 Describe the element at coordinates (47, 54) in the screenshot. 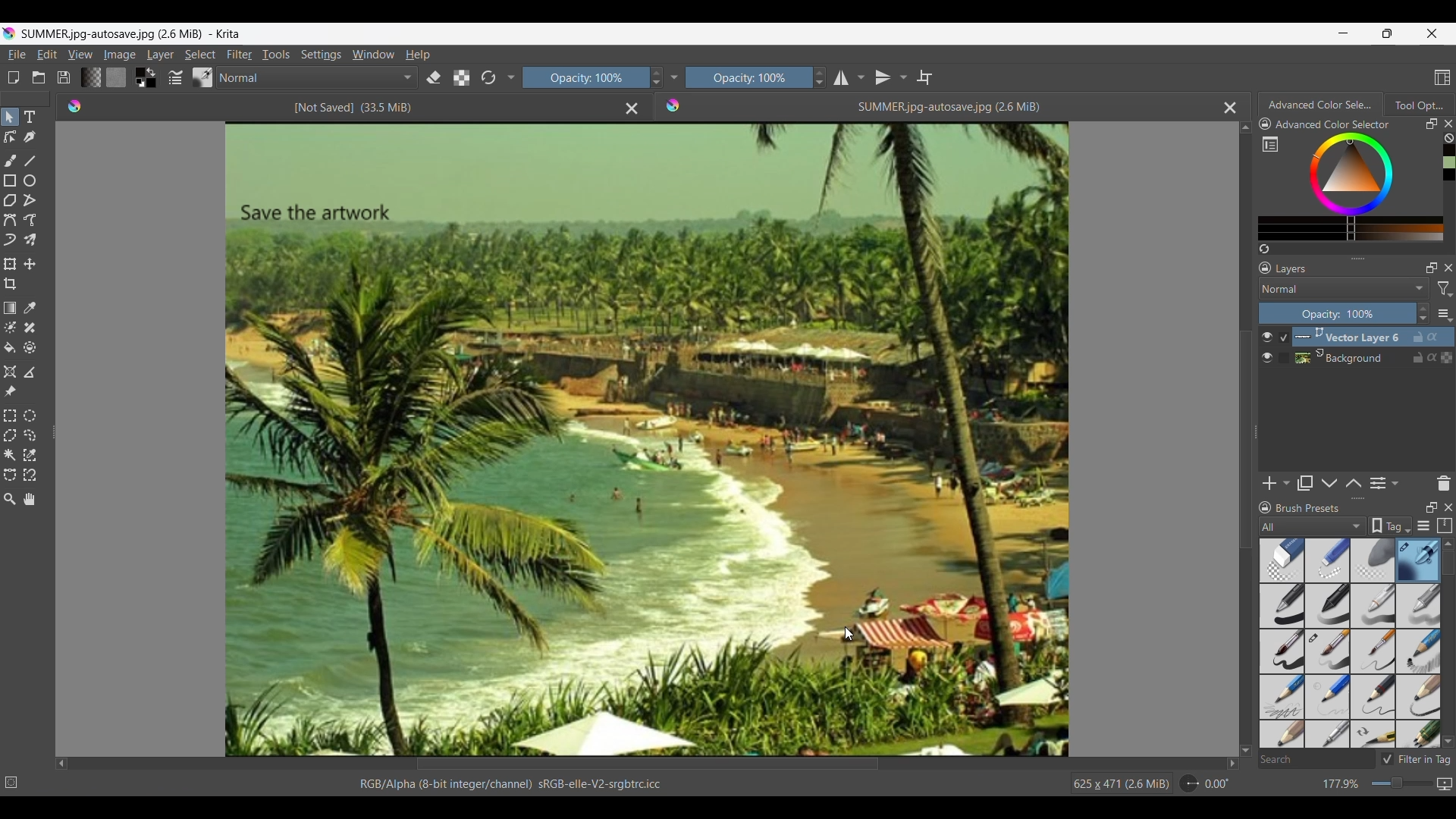

I see `Edit` at that location.